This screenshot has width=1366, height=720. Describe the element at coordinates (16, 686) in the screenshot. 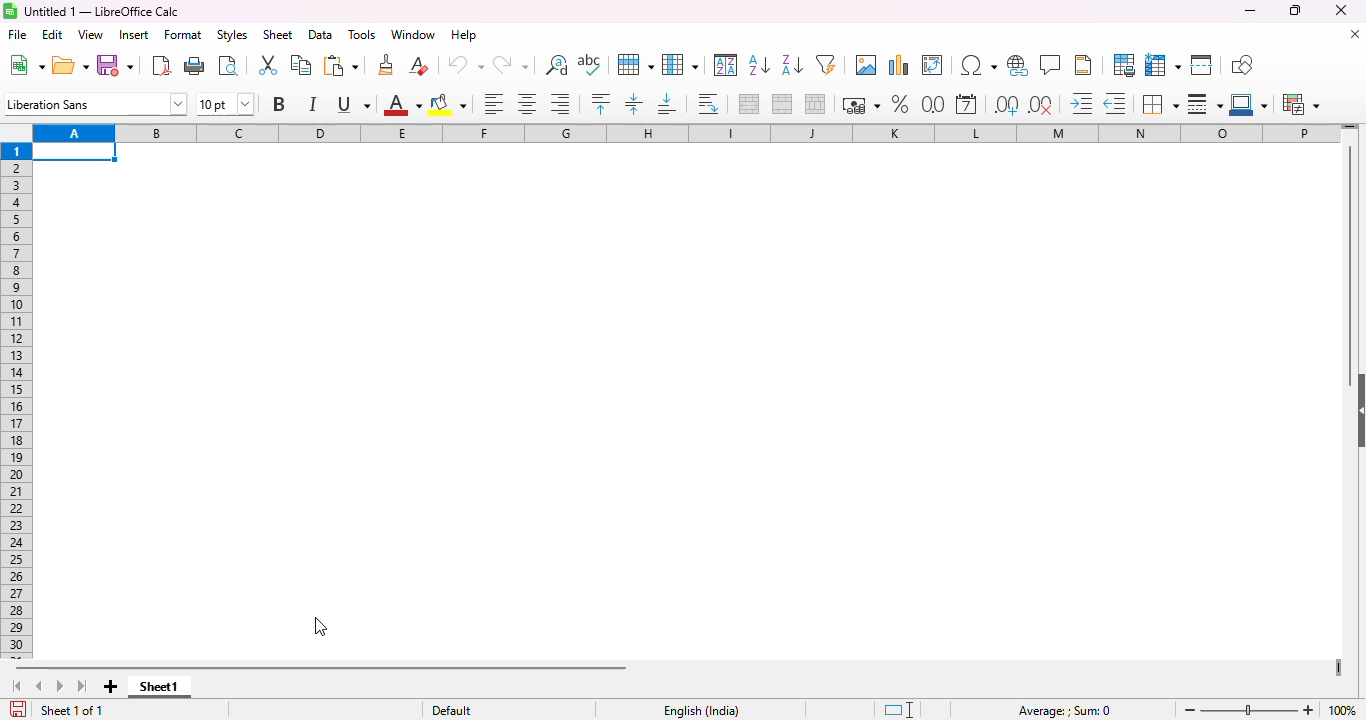

I see `scroll to first sheet` at that location.